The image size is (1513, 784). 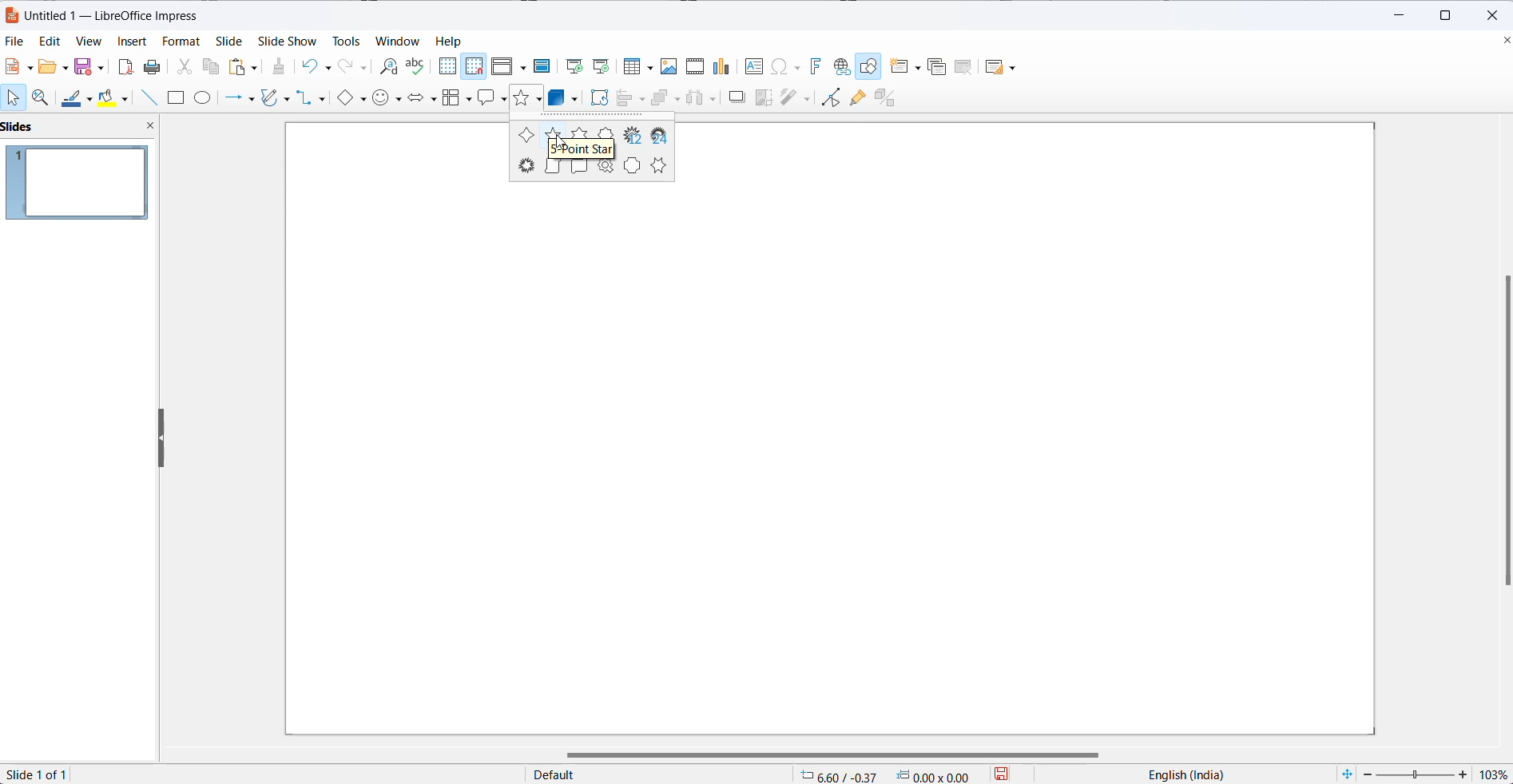 I want to click on help, so click(x=455, y=41).